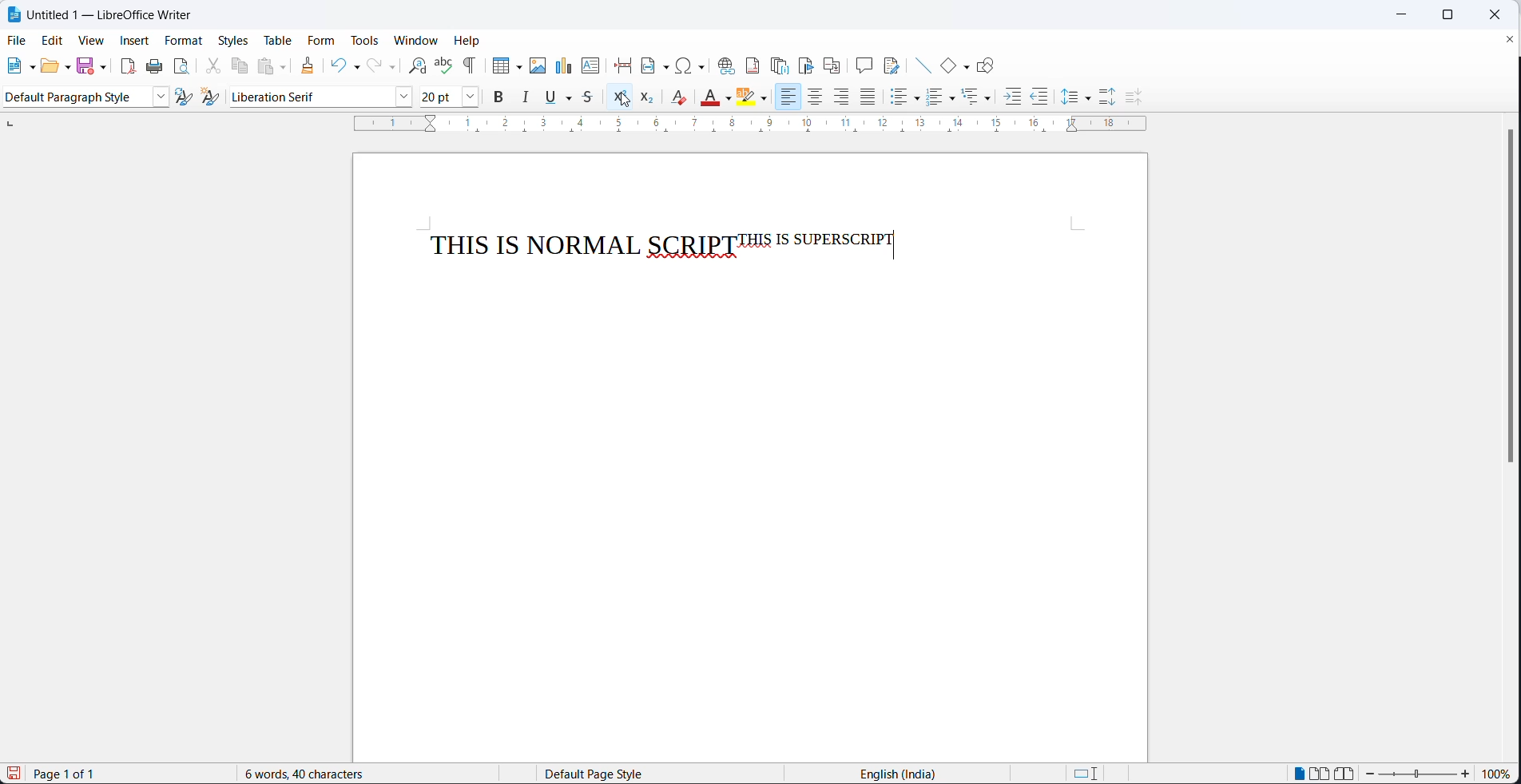  What do you see at coordinates (1348, 773) in the screenshot?
I see `book view` at bounding box center [1348, 773].